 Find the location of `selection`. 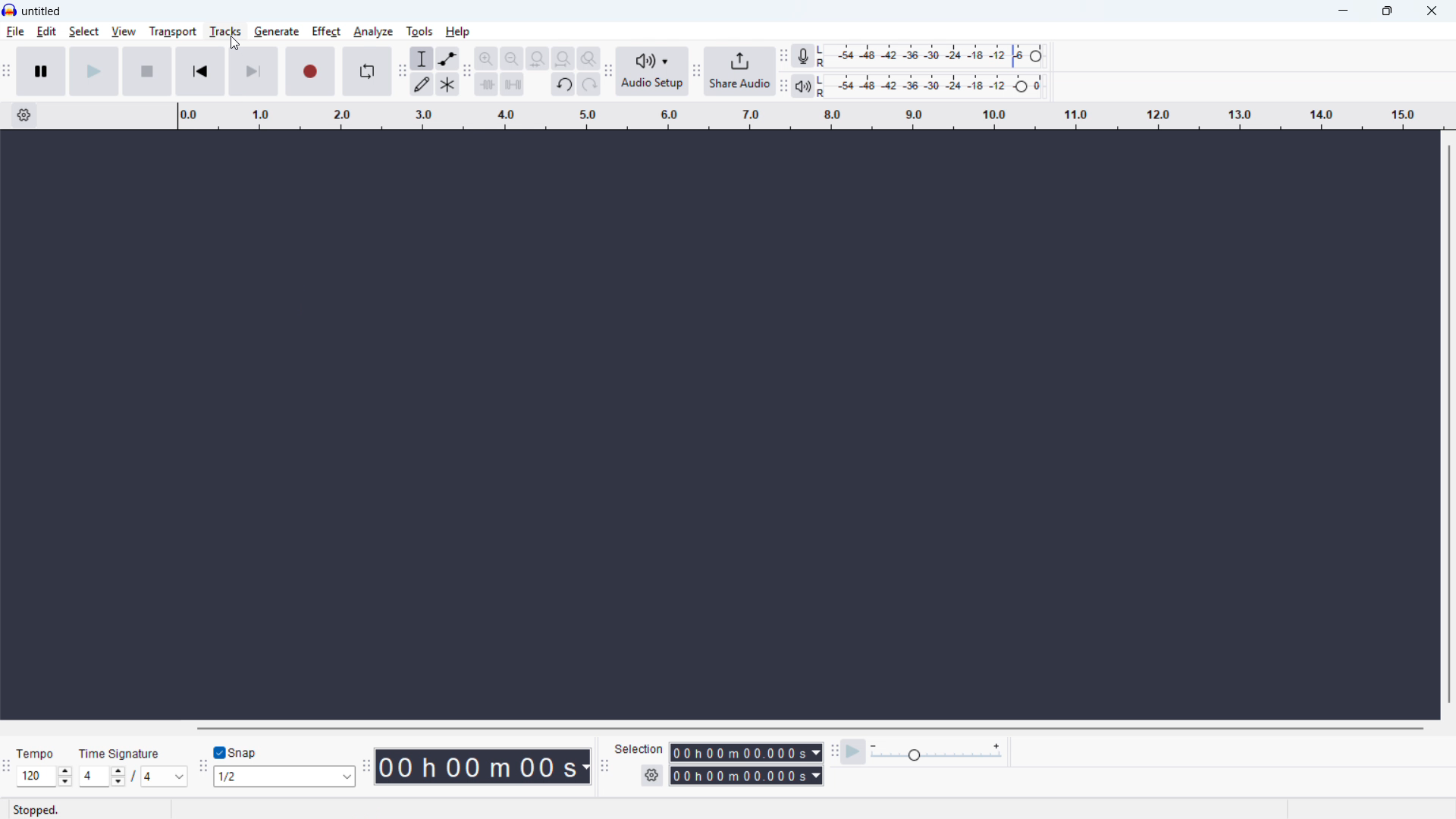

selection is located at coordinates (640, 748).